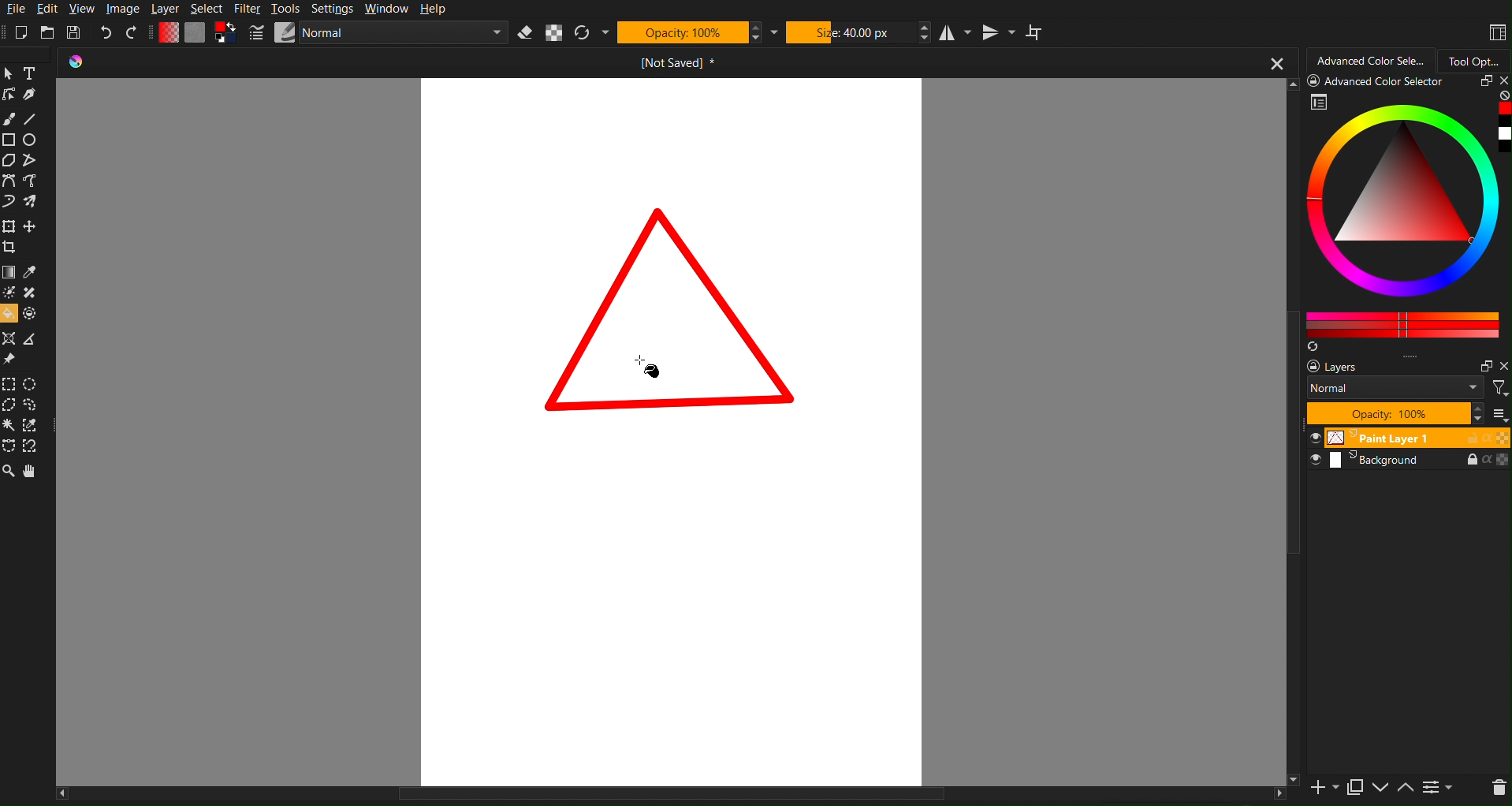  What do you see at coordinates (32, 181) in the screenshot?
I see `freehand path tool` at bounding box center [32, 181].